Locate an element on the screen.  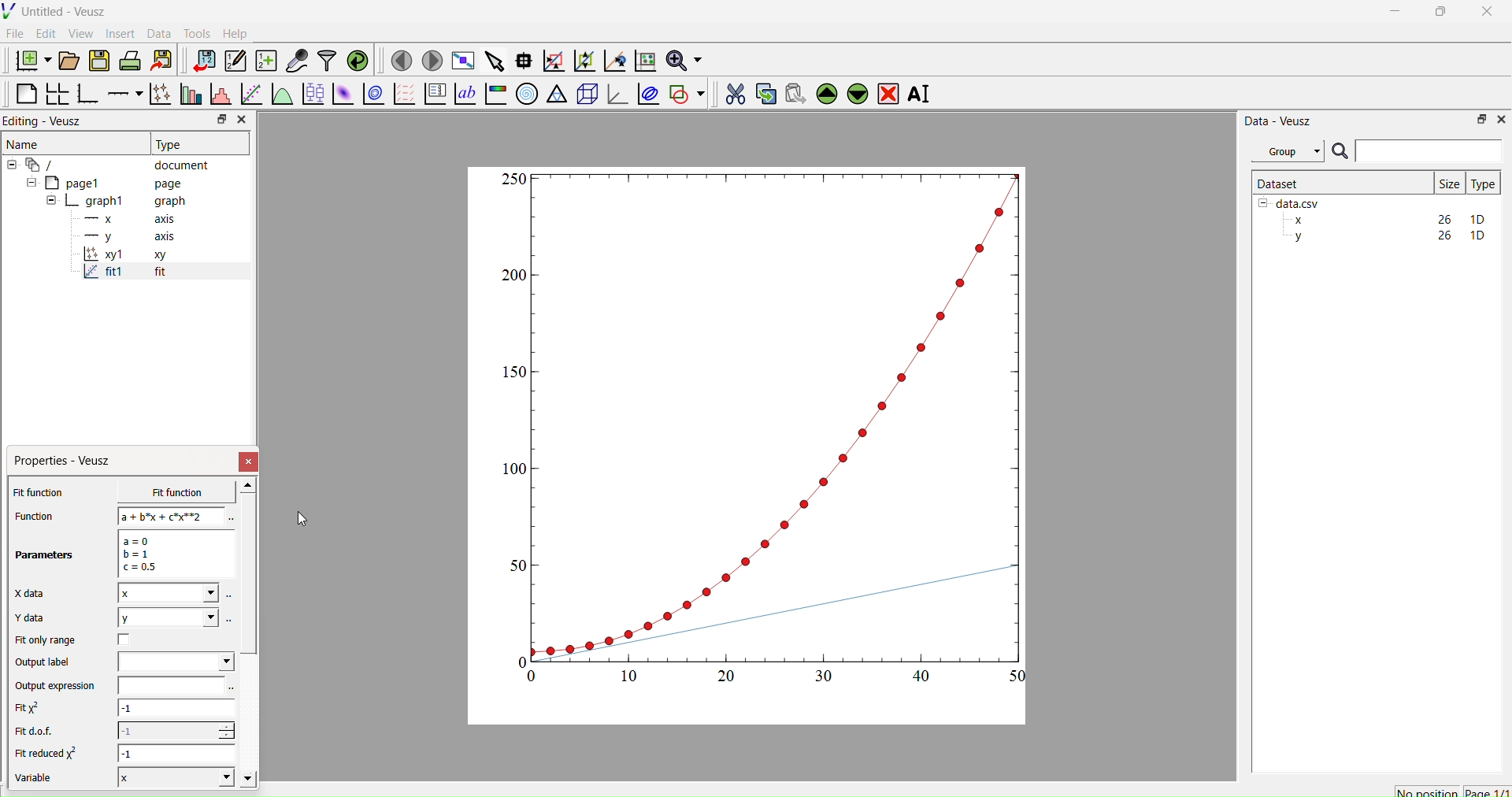
Fit x^2 is located at coordinates (35, 708).